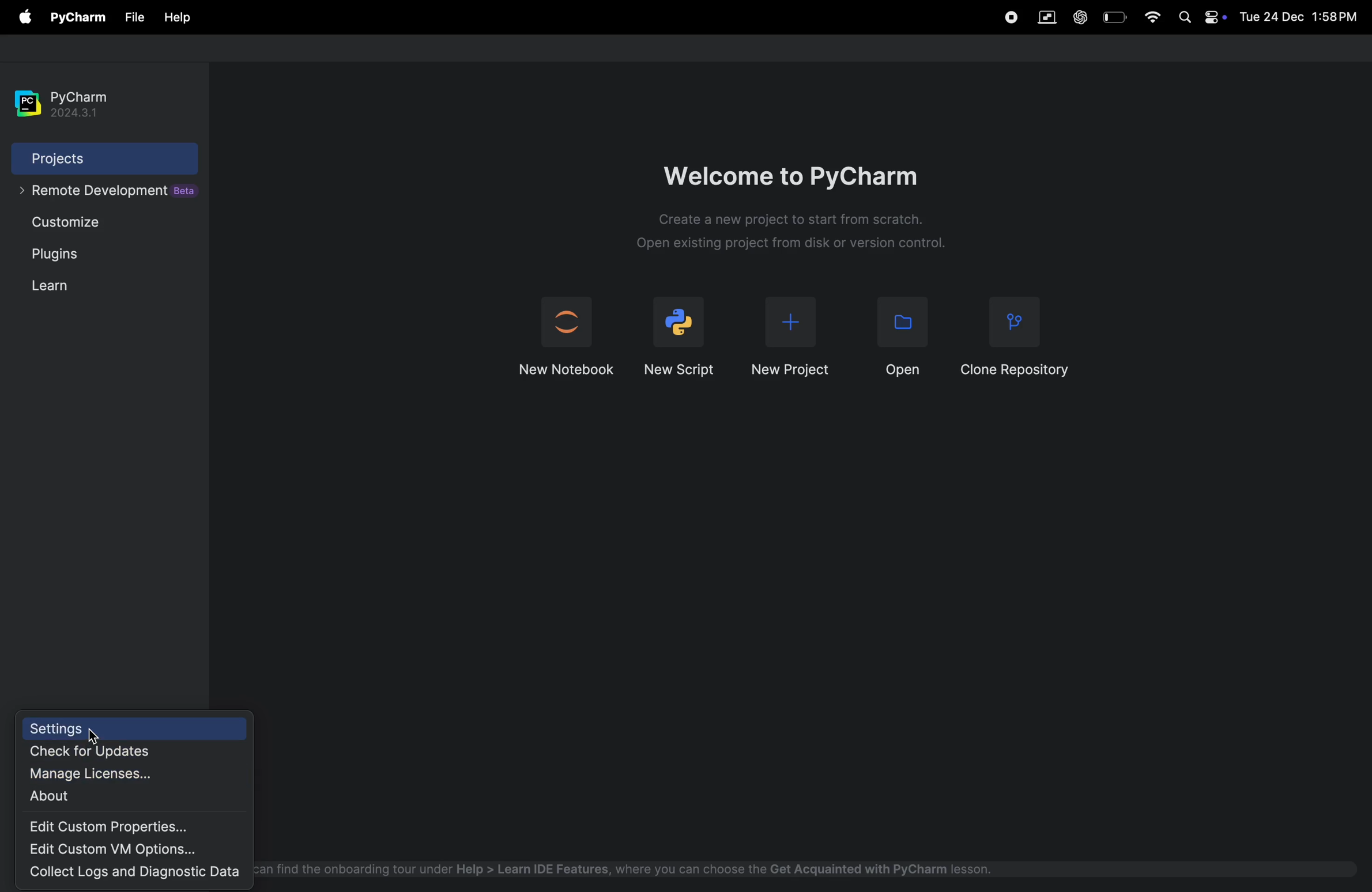 Image resolution: width=1372 pixels, height=892 pixels. I want to click on record, so click(1009, 18).